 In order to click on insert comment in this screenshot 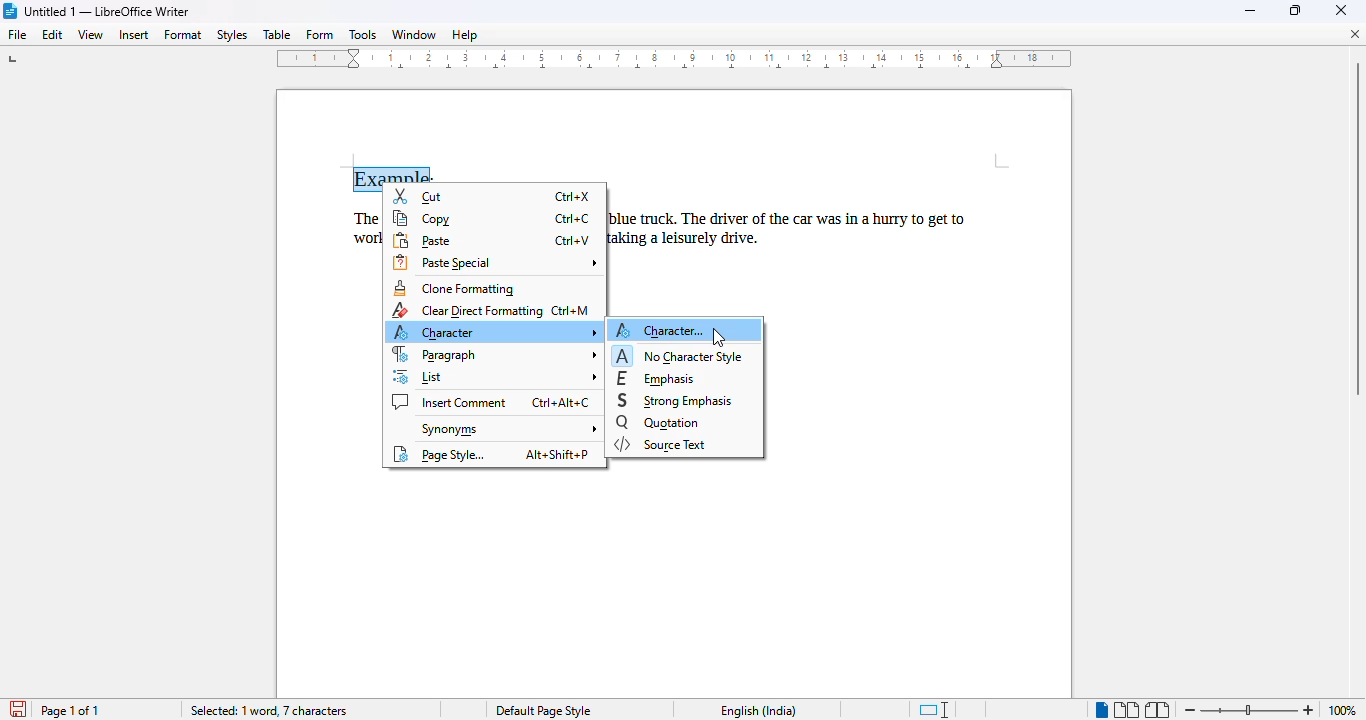, I will do `click(450, 402)`.